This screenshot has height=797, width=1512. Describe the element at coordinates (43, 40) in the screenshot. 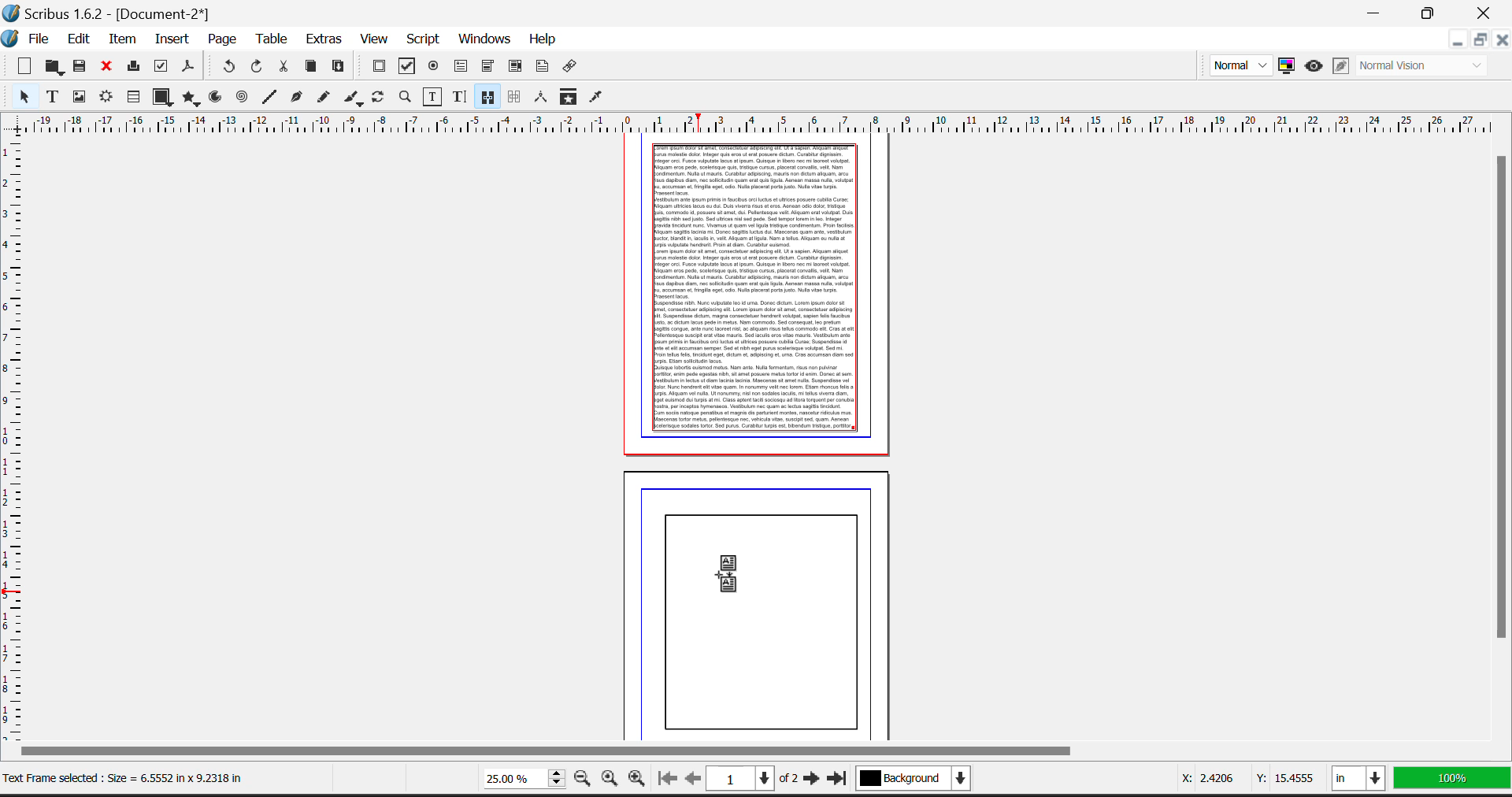

I see `File` at that location.